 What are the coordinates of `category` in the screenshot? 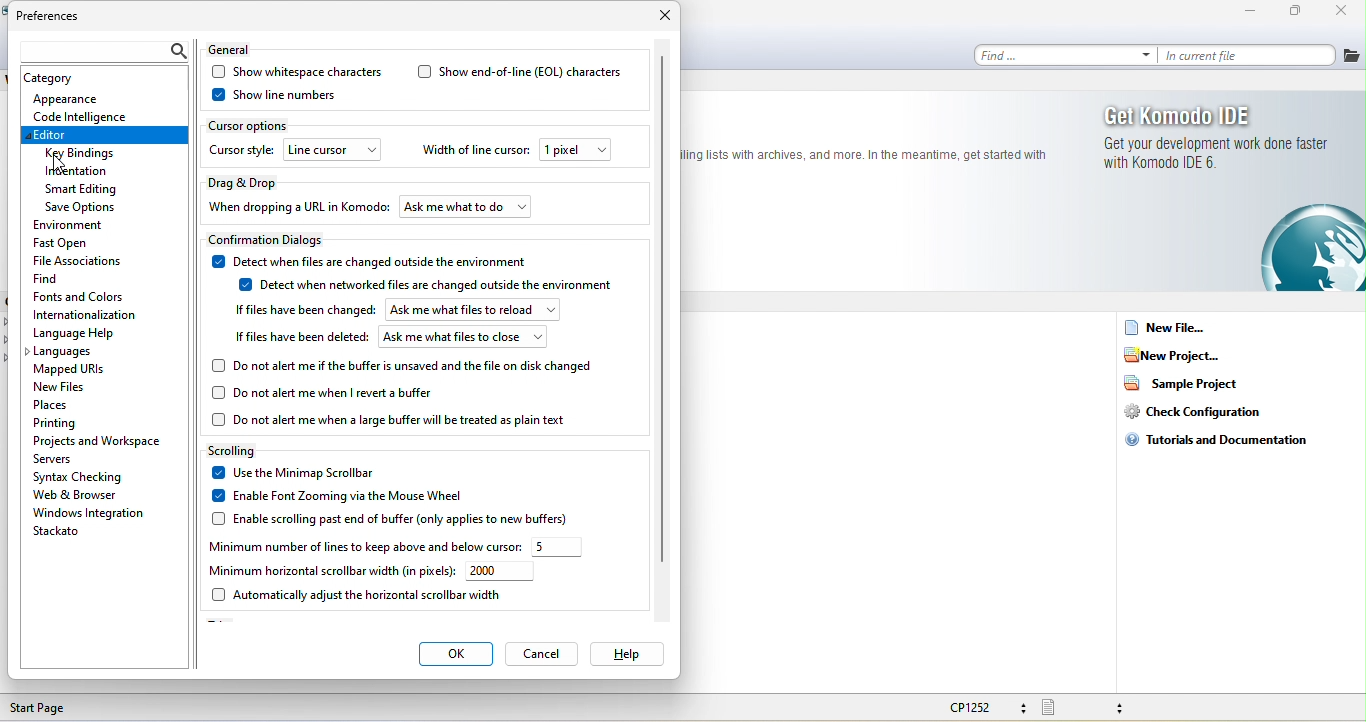 It's located at (55, 79).